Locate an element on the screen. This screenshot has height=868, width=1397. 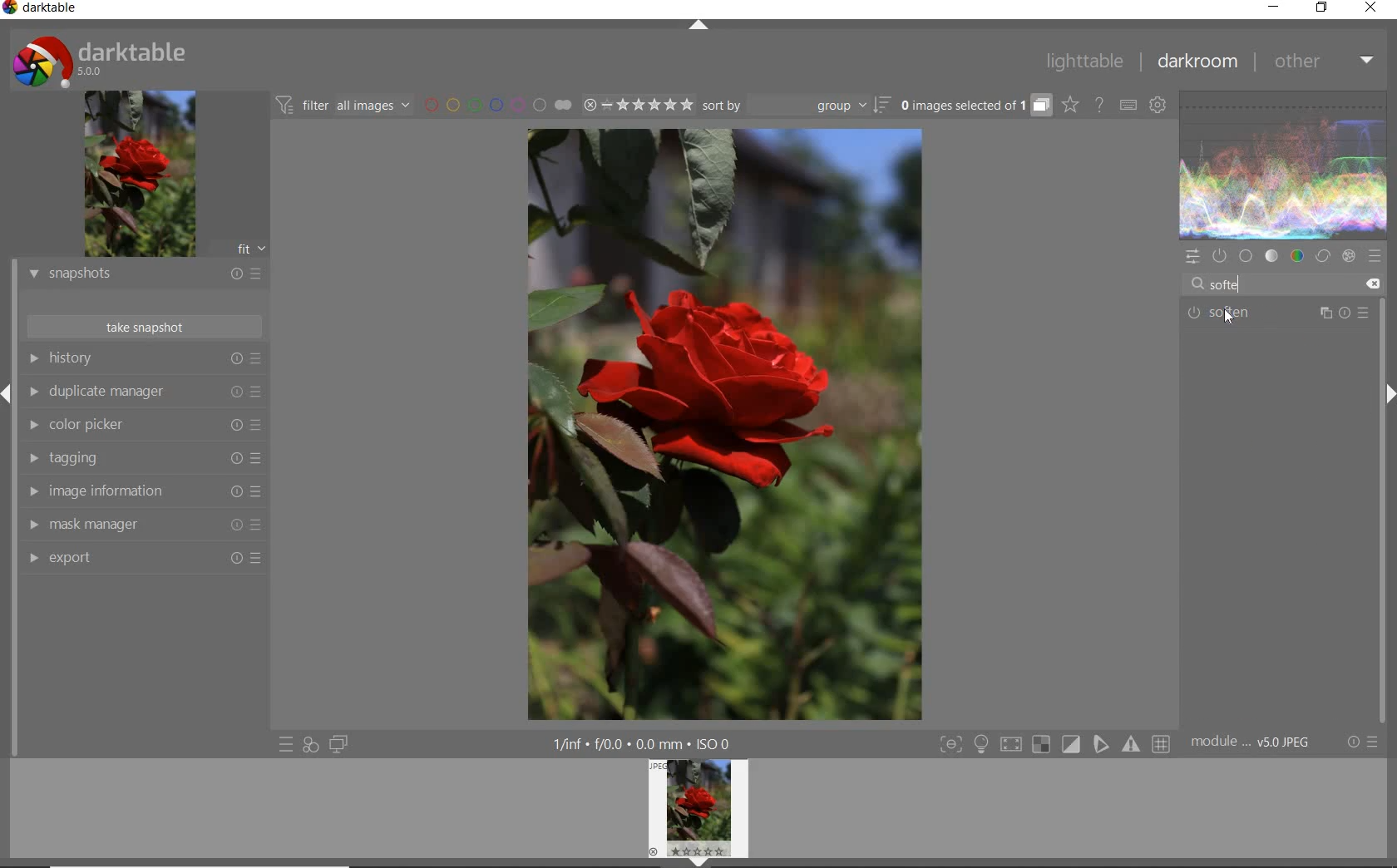
image preview is located at coordinates (698, 813).